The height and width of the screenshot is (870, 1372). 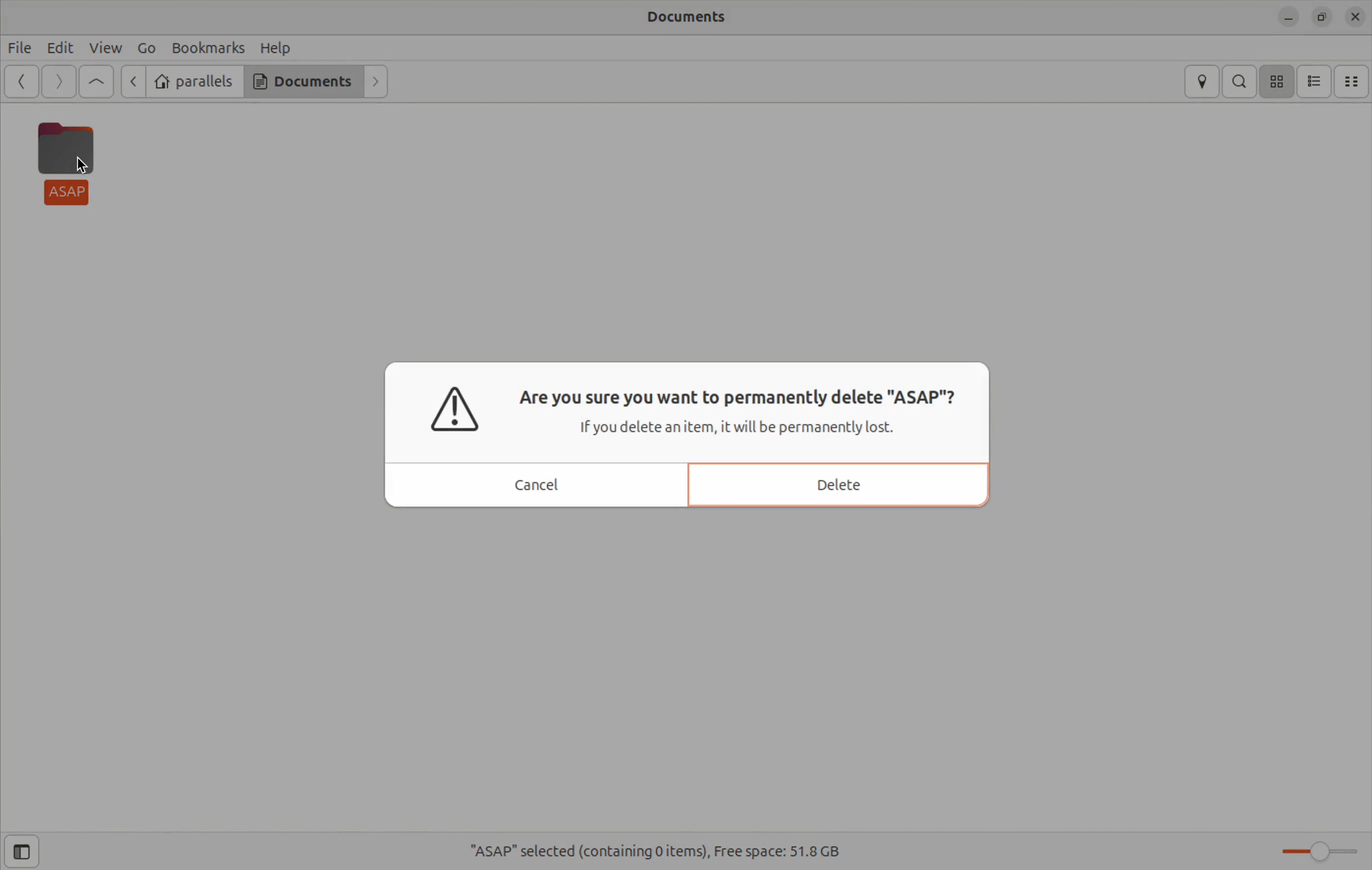 What do you see at coordinates (281, 47) in the screenshot?
I see `Help` at bounding box center [281, 47].